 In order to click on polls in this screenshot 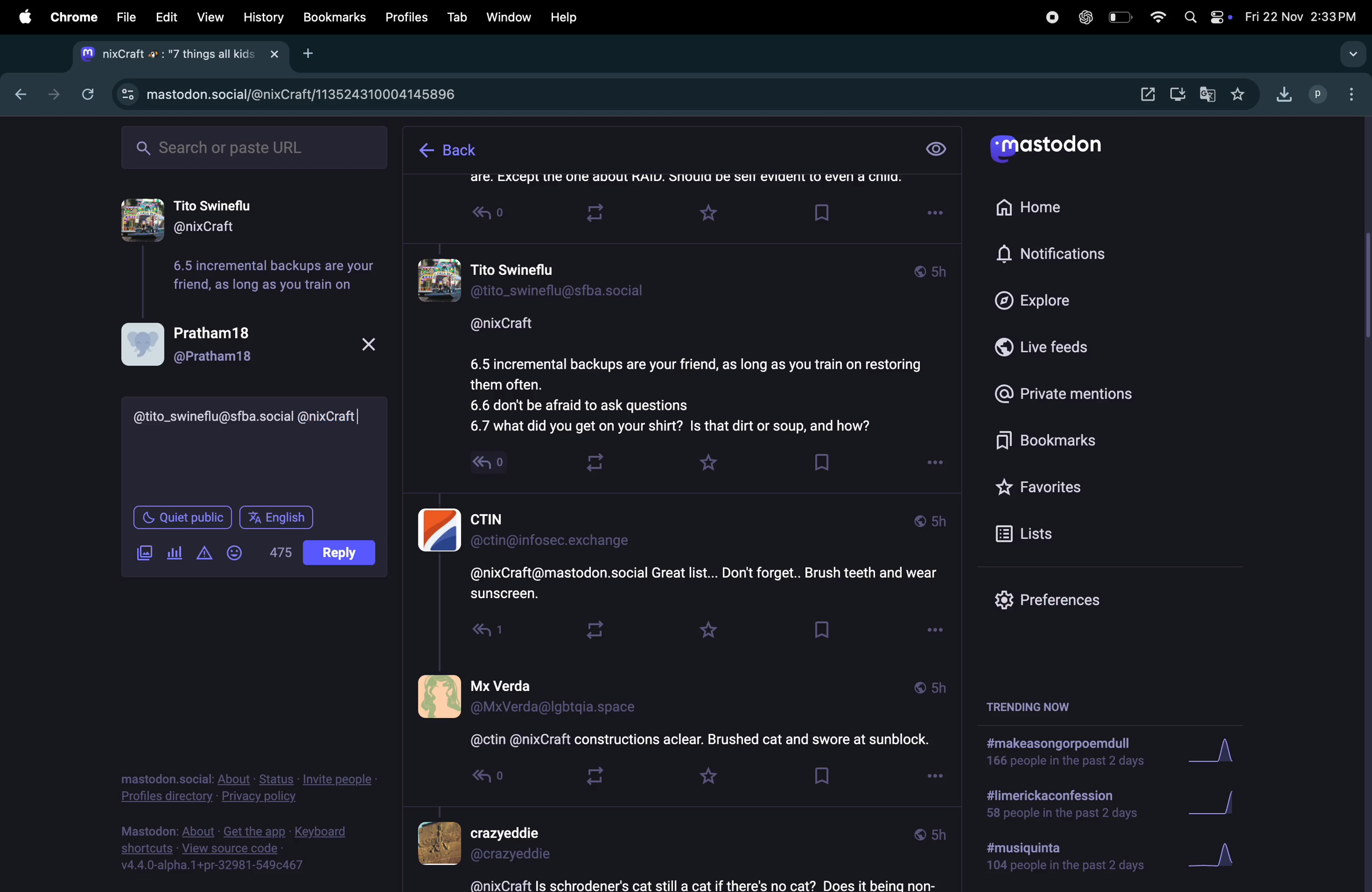, I will do `click(179, 555)`.